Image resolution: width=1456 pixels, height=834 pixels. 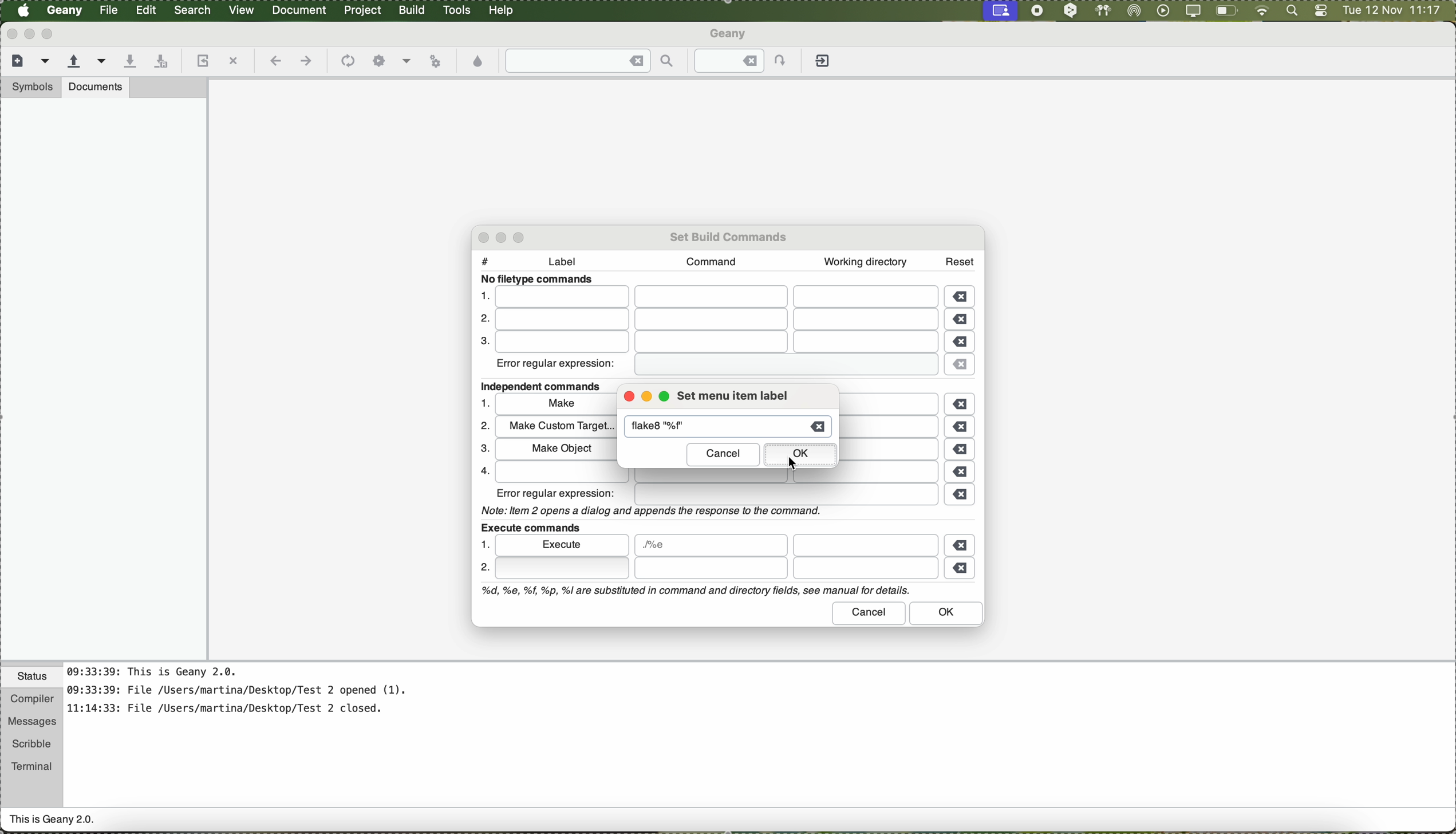 What do you see at coordinates (555, 427) in the screenshot?
I see `make custom target` at bounding box center [555, 427].